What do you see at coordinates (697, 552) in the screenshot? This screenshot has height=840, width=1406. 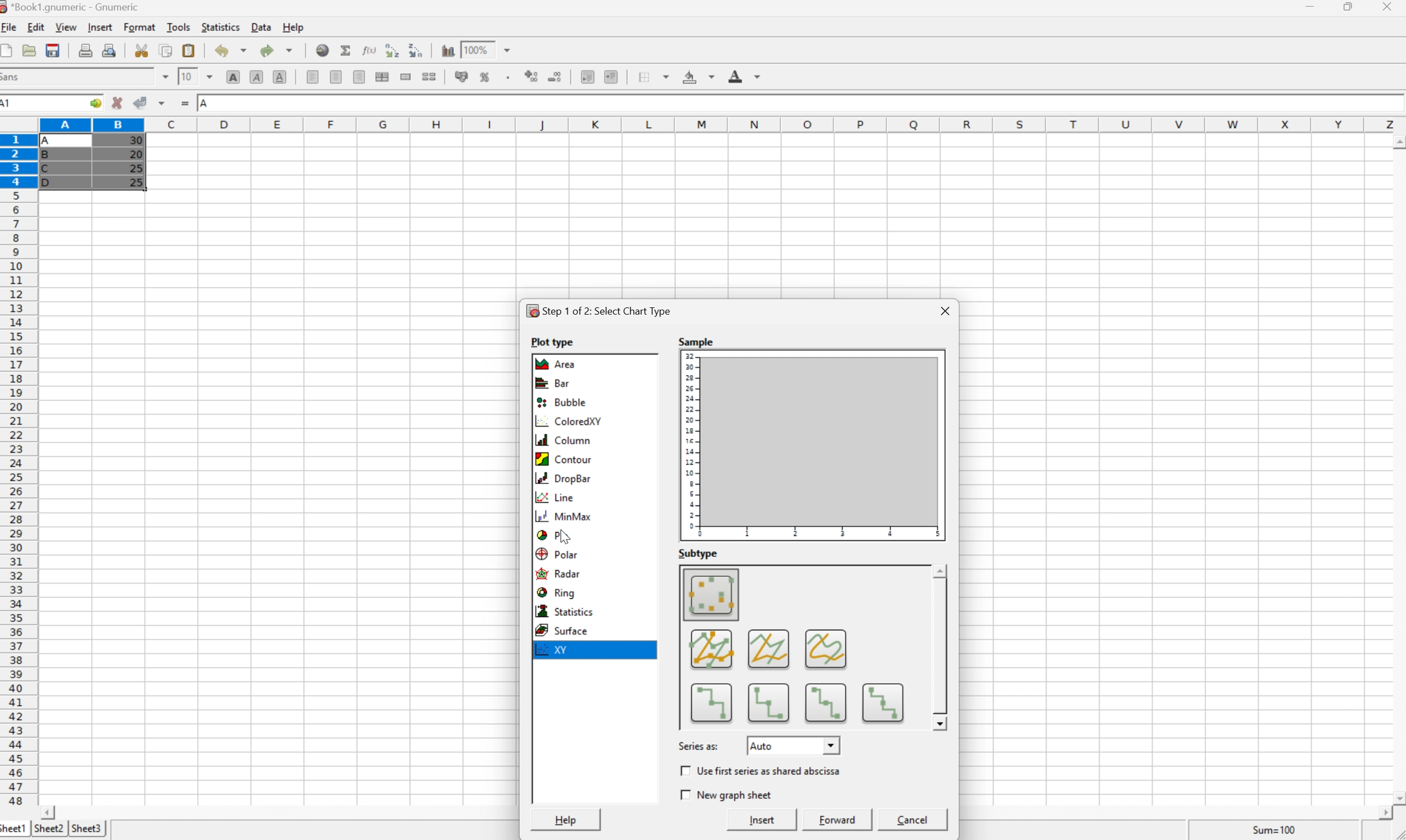 I see `Subtype` at bounding box center [697, 552].